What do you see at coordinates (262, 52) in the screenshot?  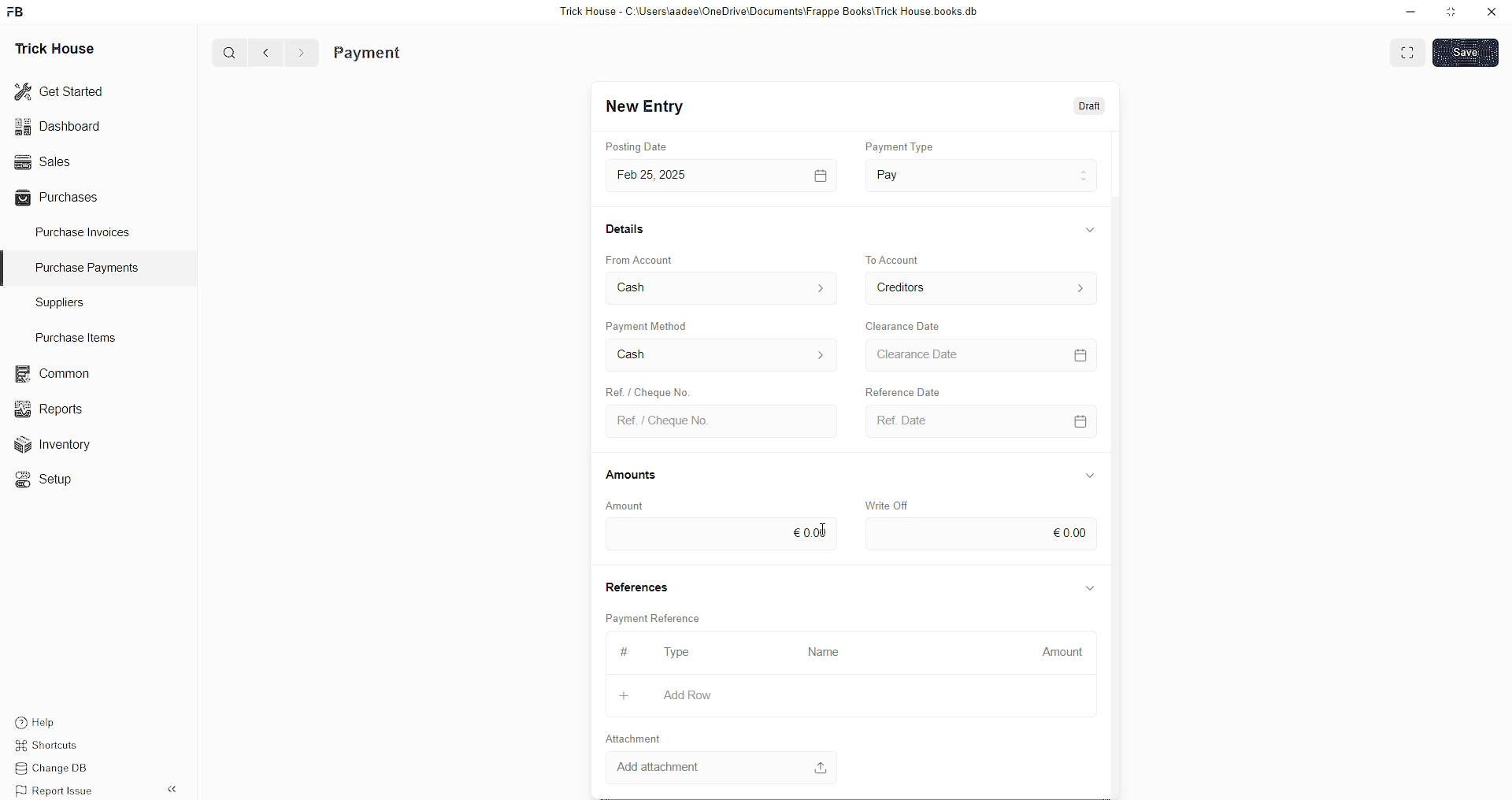 I see `<` at bounding box center [262, 52].